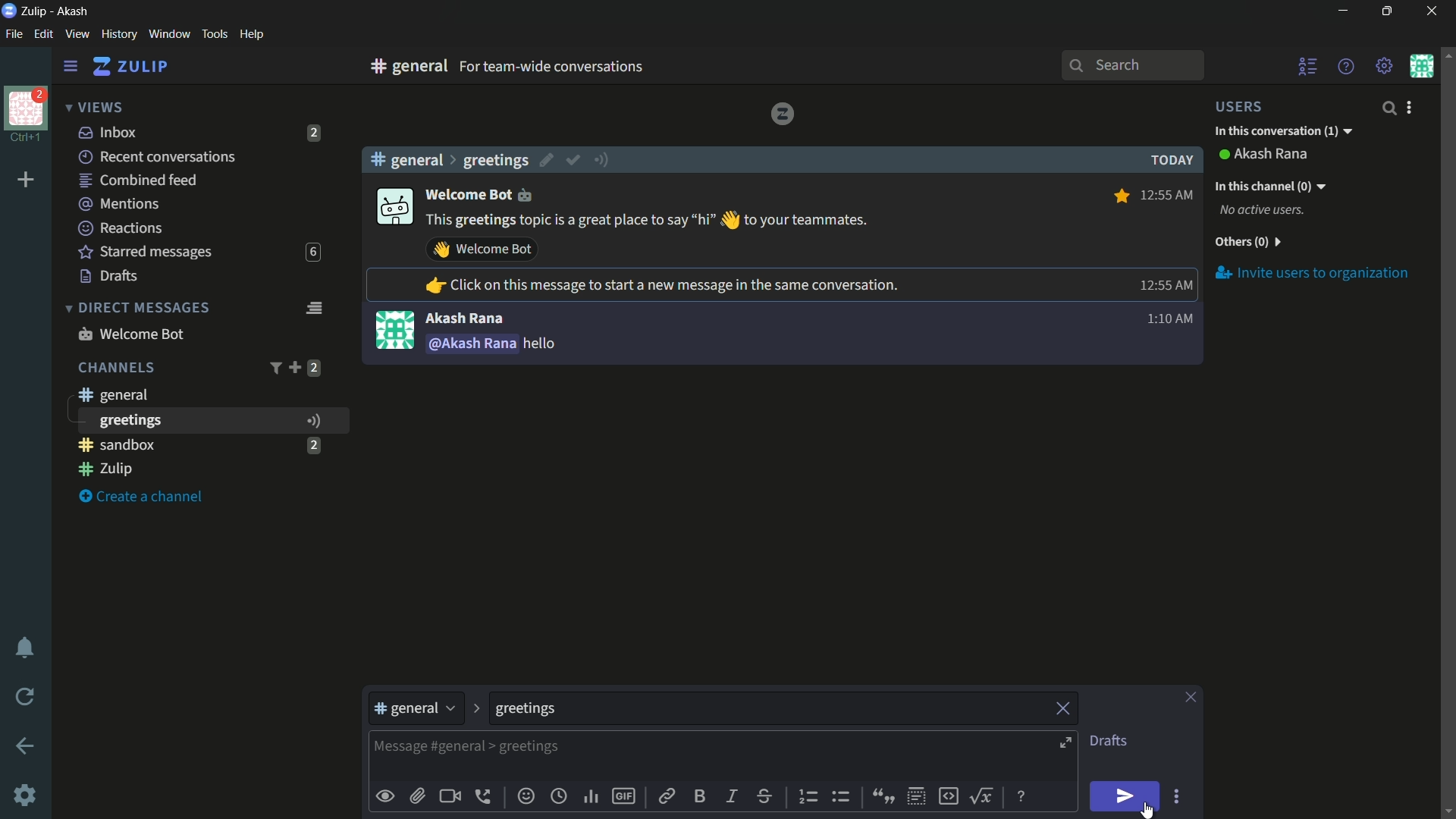 This screenshot has width=1456, height=819. I want to click on personal menu, so click(1421, 66).